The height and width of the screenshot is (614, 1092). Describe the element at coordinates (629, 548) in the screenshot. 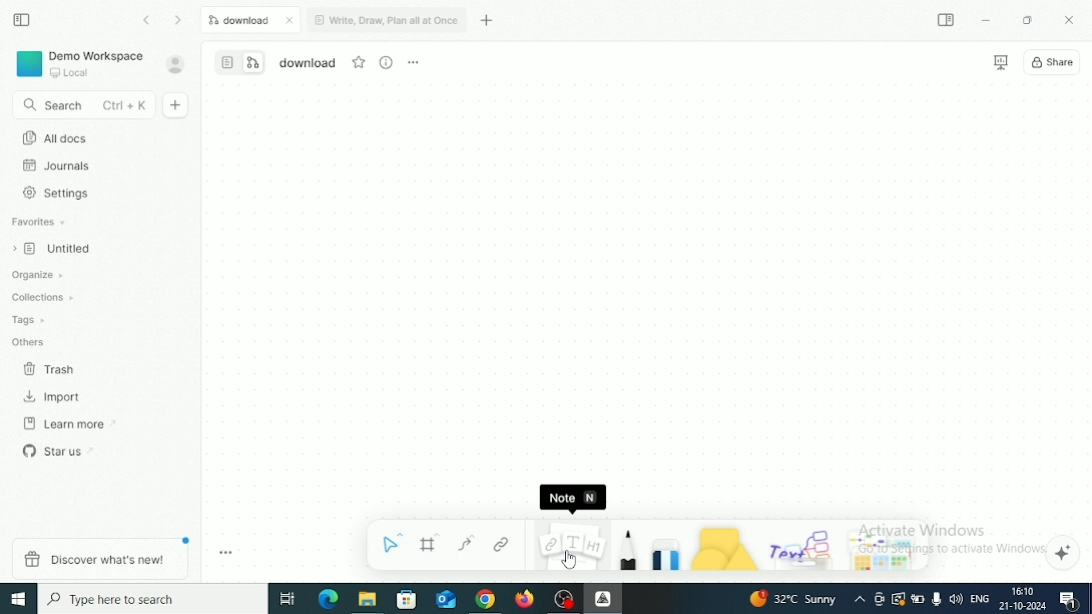

I see `Pen` at that location.